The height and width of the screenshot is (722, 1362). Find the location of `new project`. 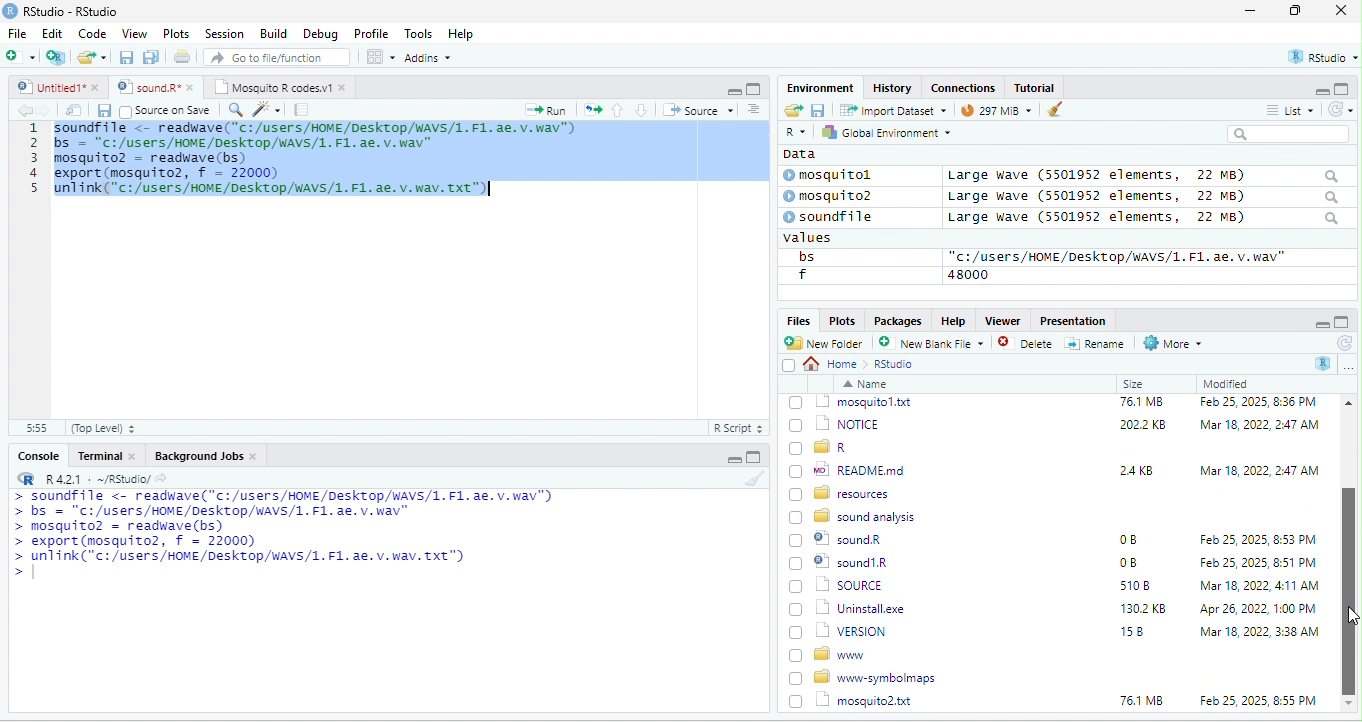

new project is located at coordinates (57, 57).